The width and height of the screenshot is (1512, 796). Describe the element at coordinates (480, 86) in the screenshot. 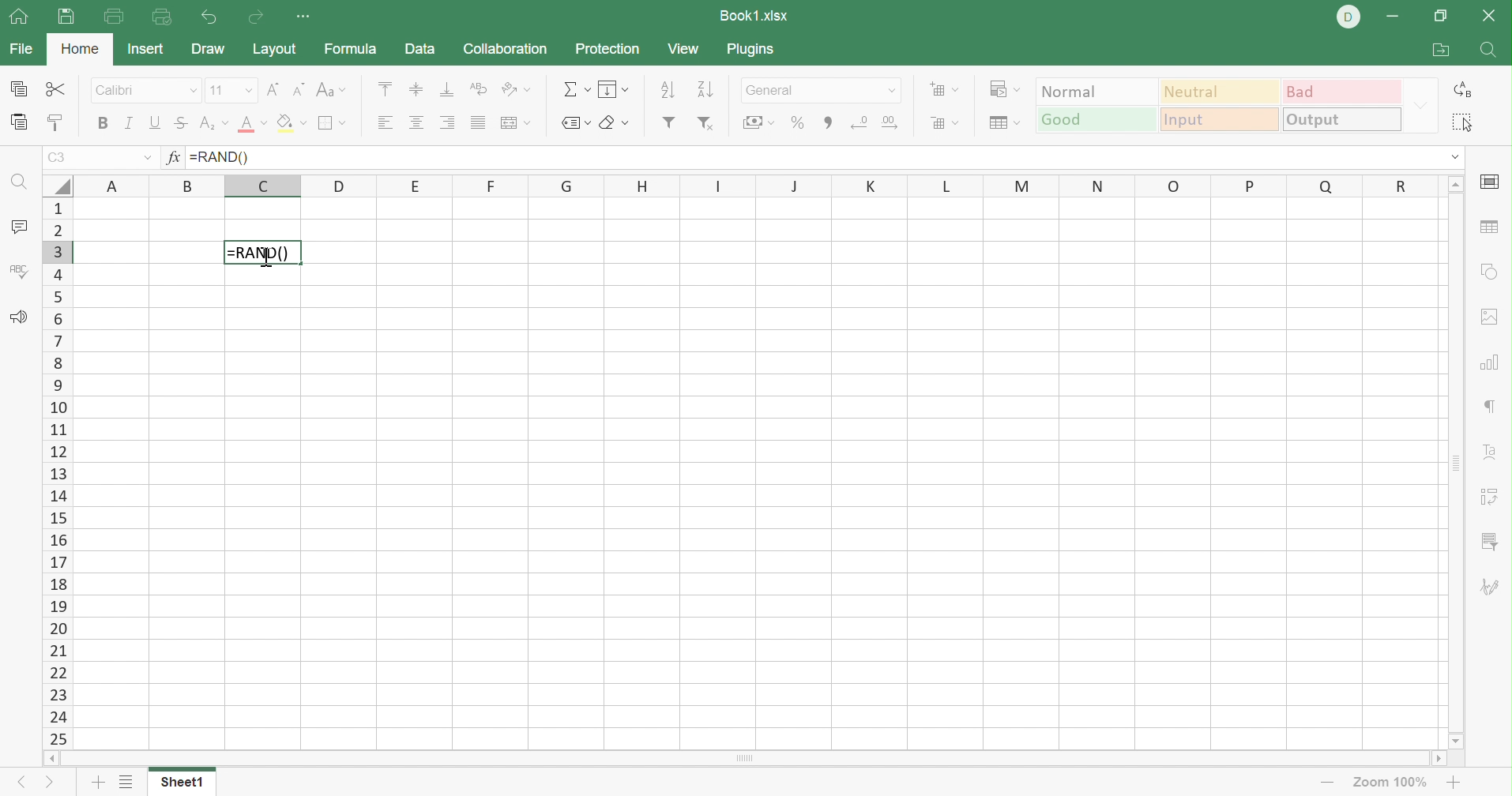

I see `Wrap text` at that location.